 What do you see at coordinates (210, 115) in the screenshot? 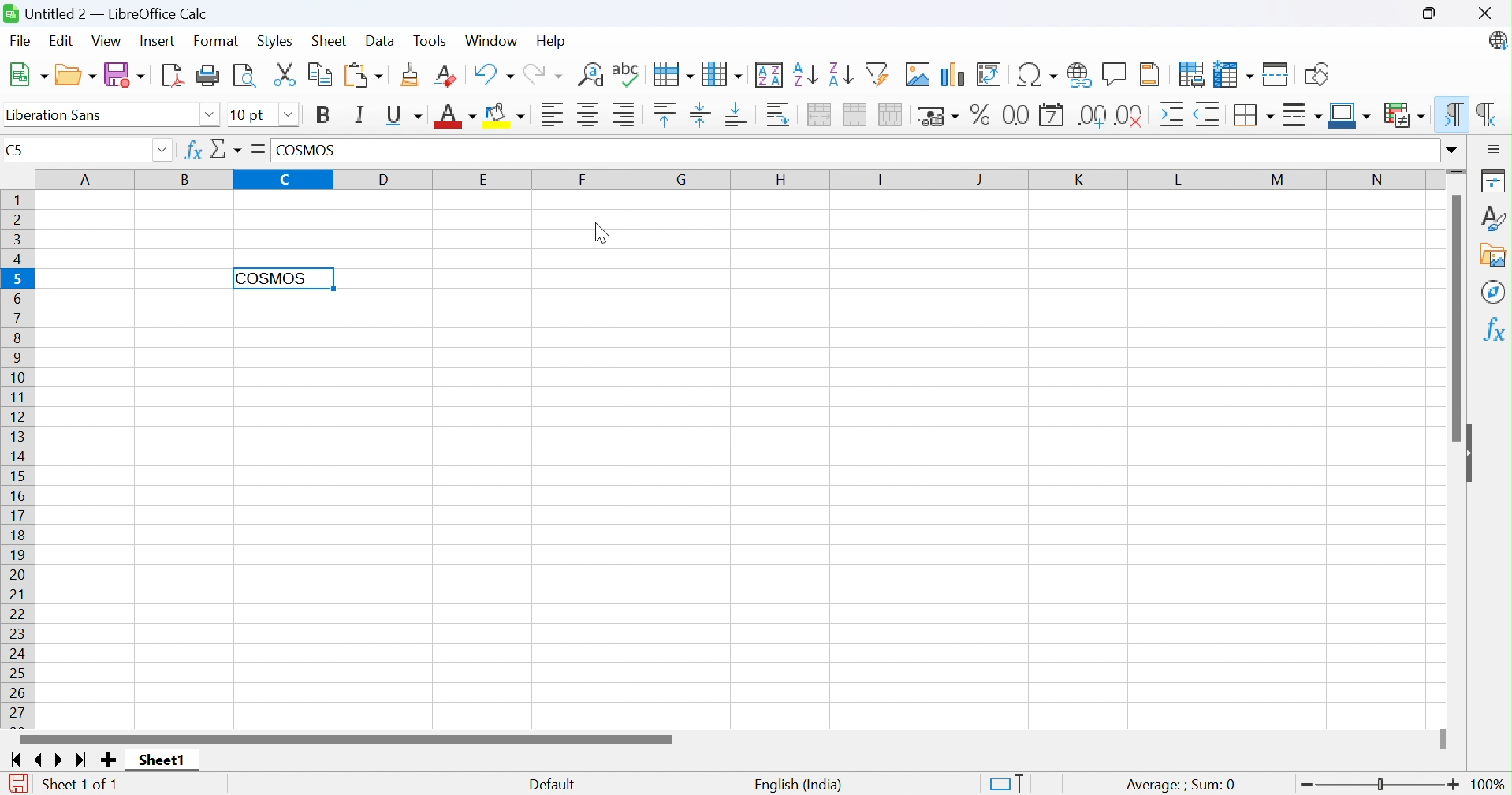
I see `Drop down` at bounding box center [210, 115].